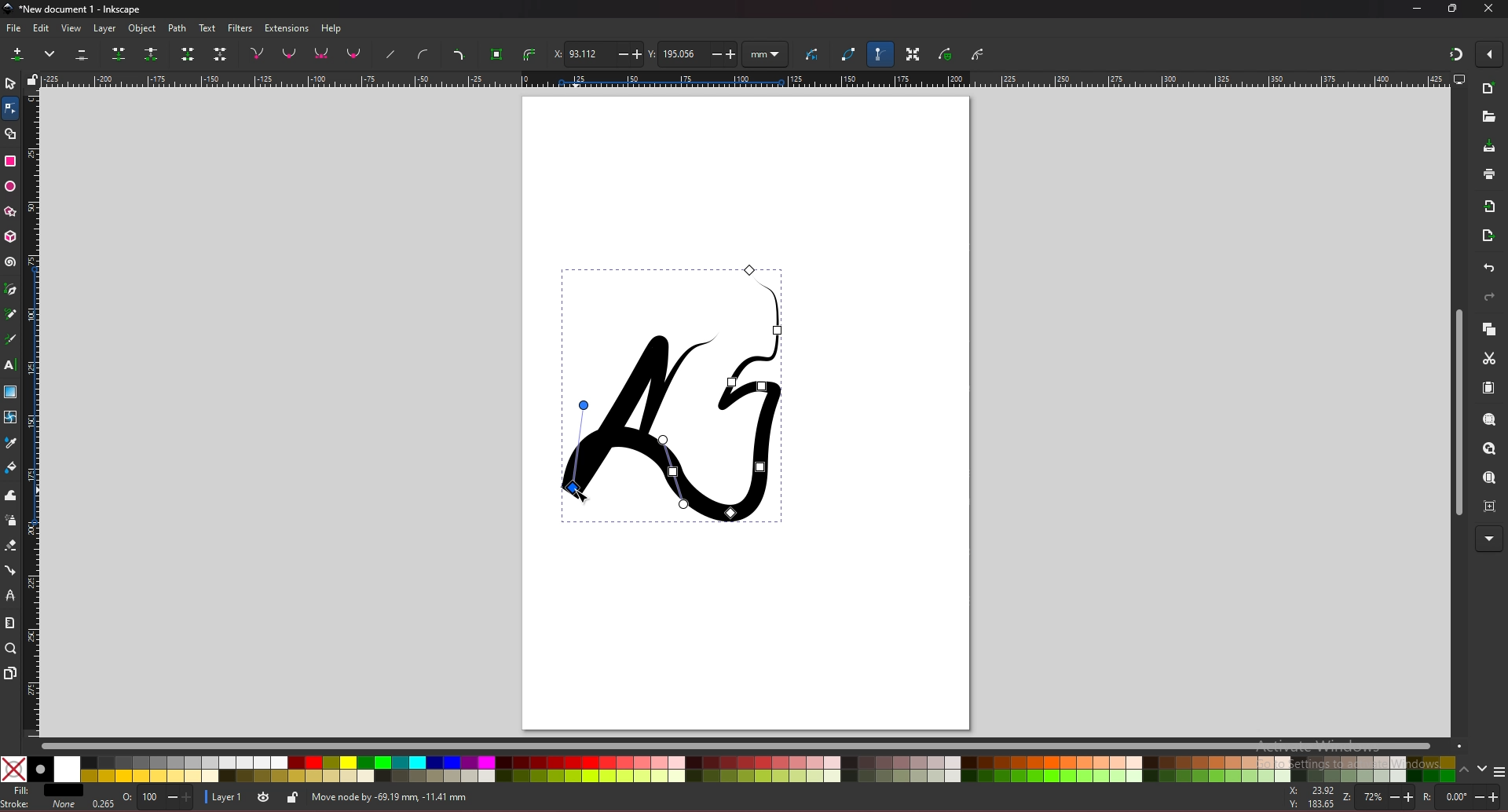 The height and width of the screenshot is (812, 1508). Describe the element at coordinates (1490, 477) in the screenshot. I see `zoom page` at that location.